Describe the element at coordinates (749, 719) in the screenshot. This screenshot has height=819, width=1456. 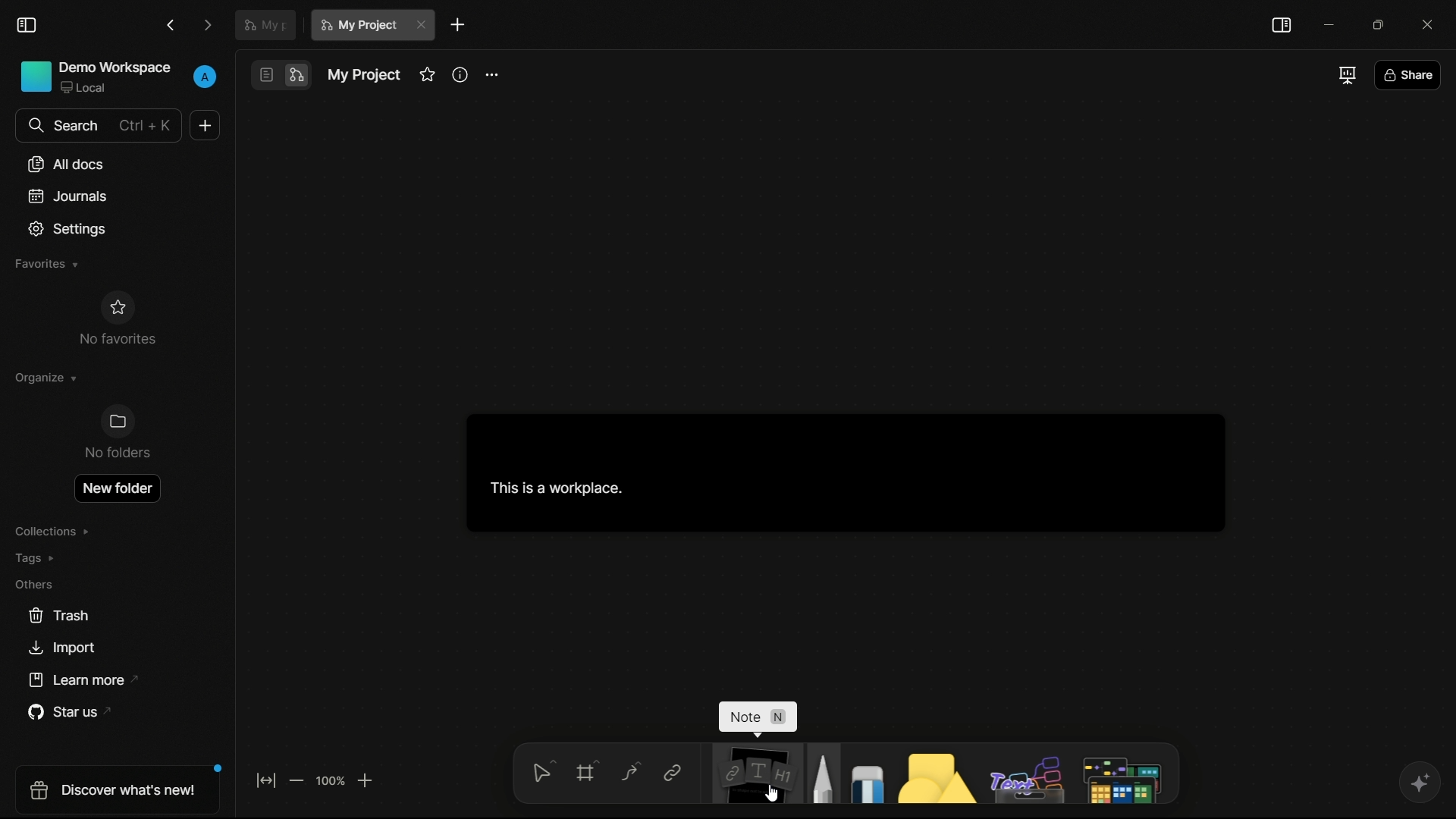
I see `note pop up` at that location.